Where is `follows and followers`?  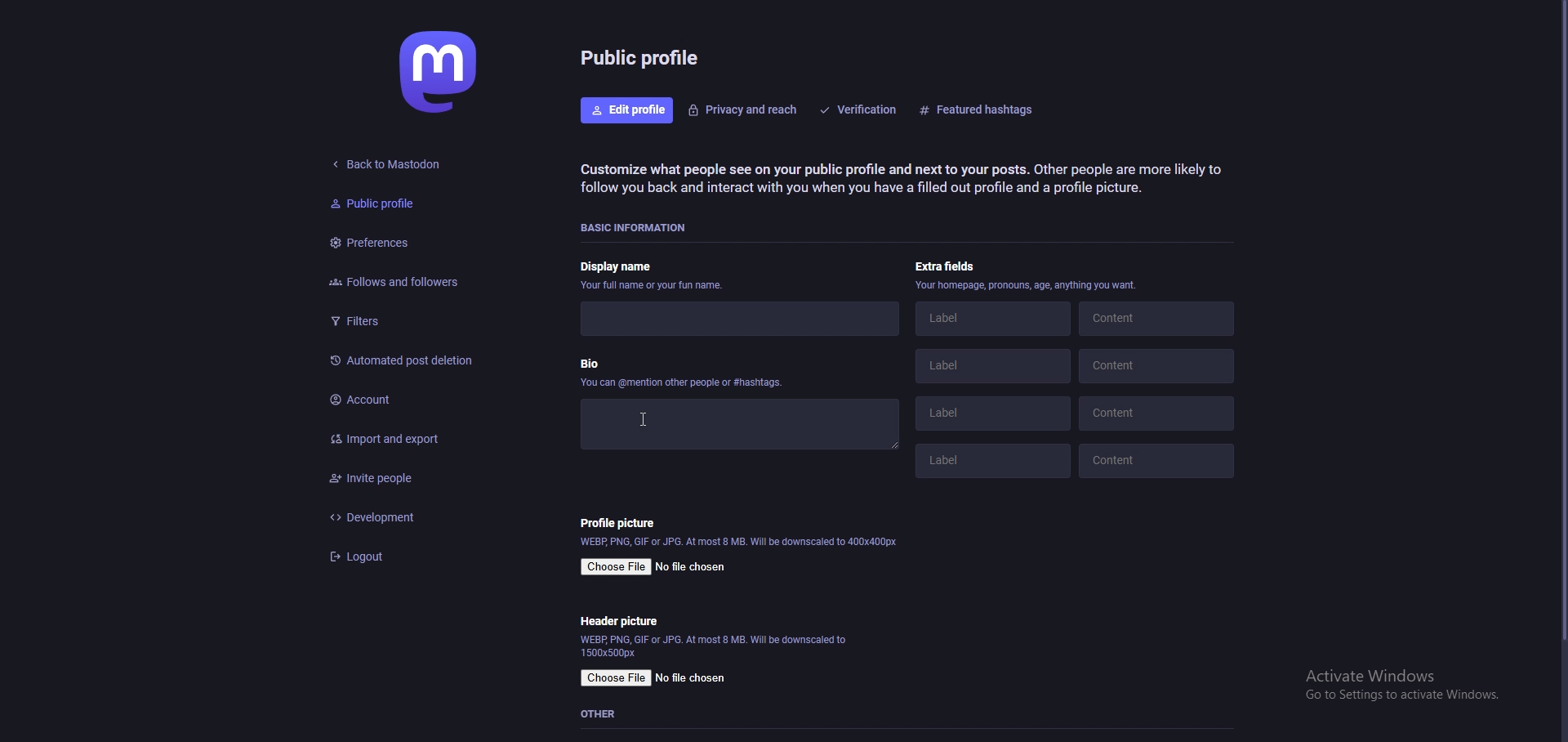 follows and followers is located at coordinates (412, 279).